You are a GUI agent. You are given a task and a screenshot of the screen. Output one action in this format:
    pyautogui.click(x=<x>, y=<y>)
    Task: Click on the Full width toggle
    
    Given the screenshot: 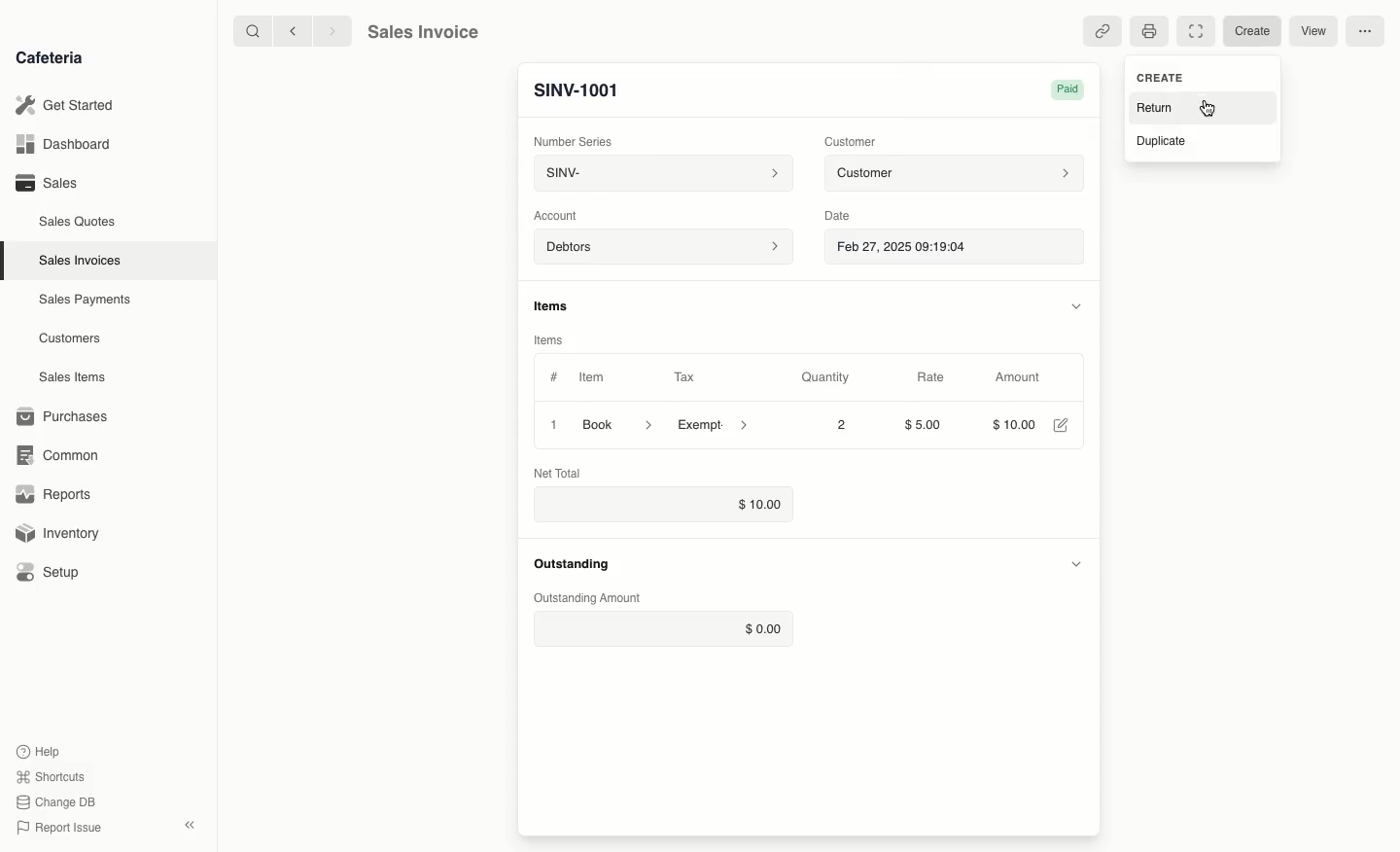 What is the action you would take?
    pyautogui.click(x=1195, y=30)
    